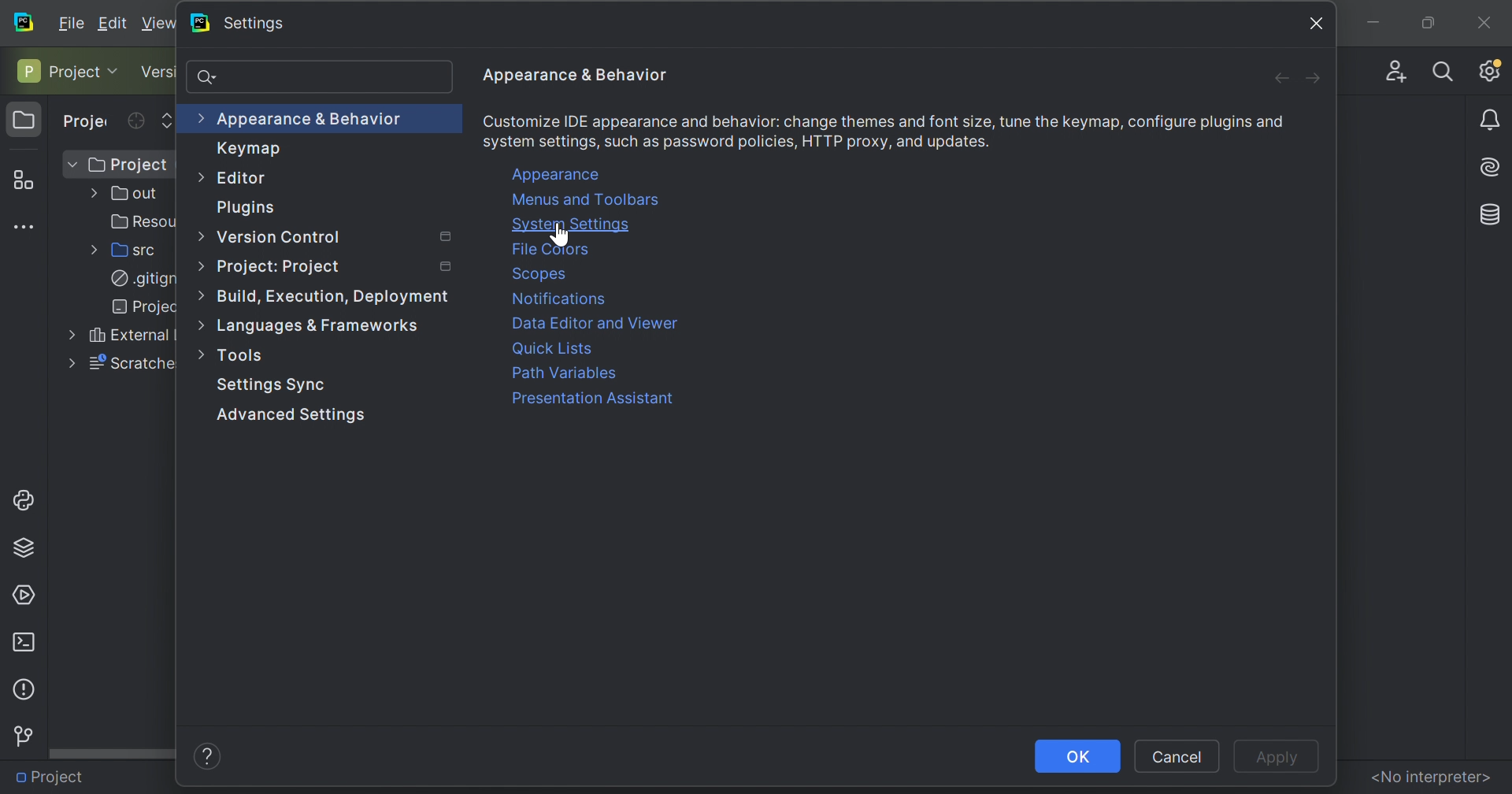  I want to click on Project, so click(87, 122).